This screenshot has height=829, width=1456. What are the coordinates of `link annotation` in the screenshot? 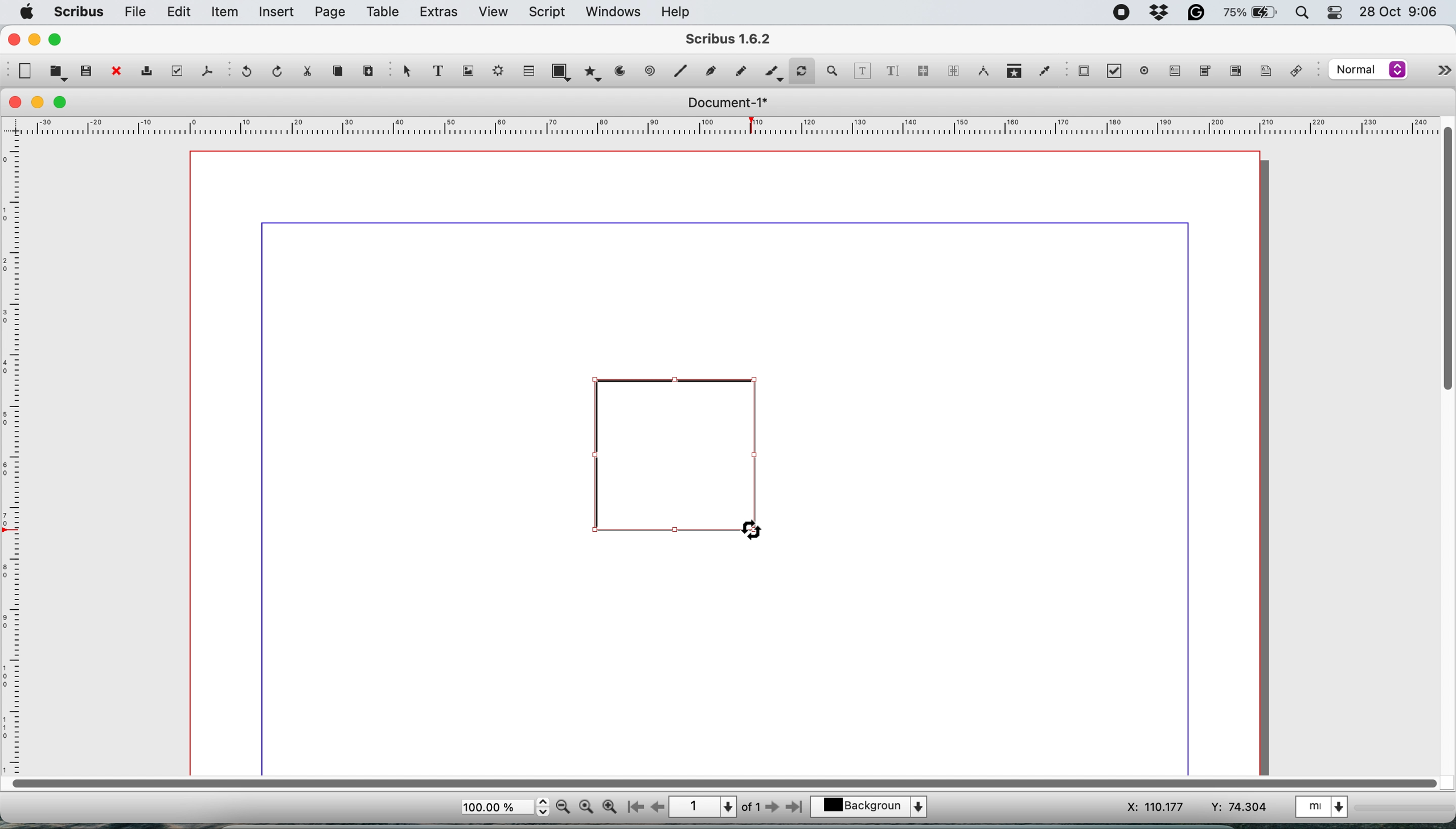 It's located at (1301, 71).